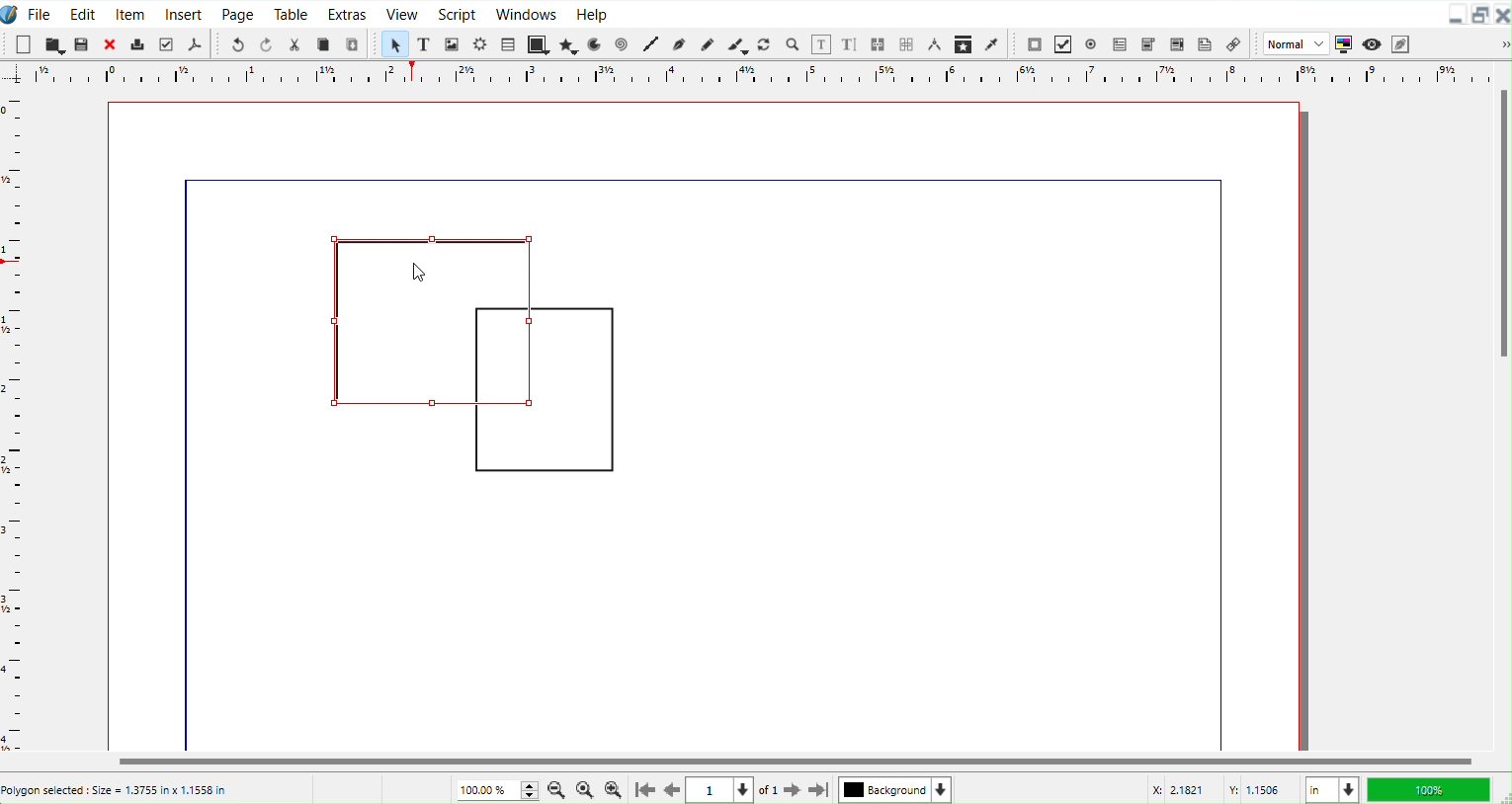 The height and width of the screenshot is (804, 1512). I want to click on Polygon, so click(569, 45).